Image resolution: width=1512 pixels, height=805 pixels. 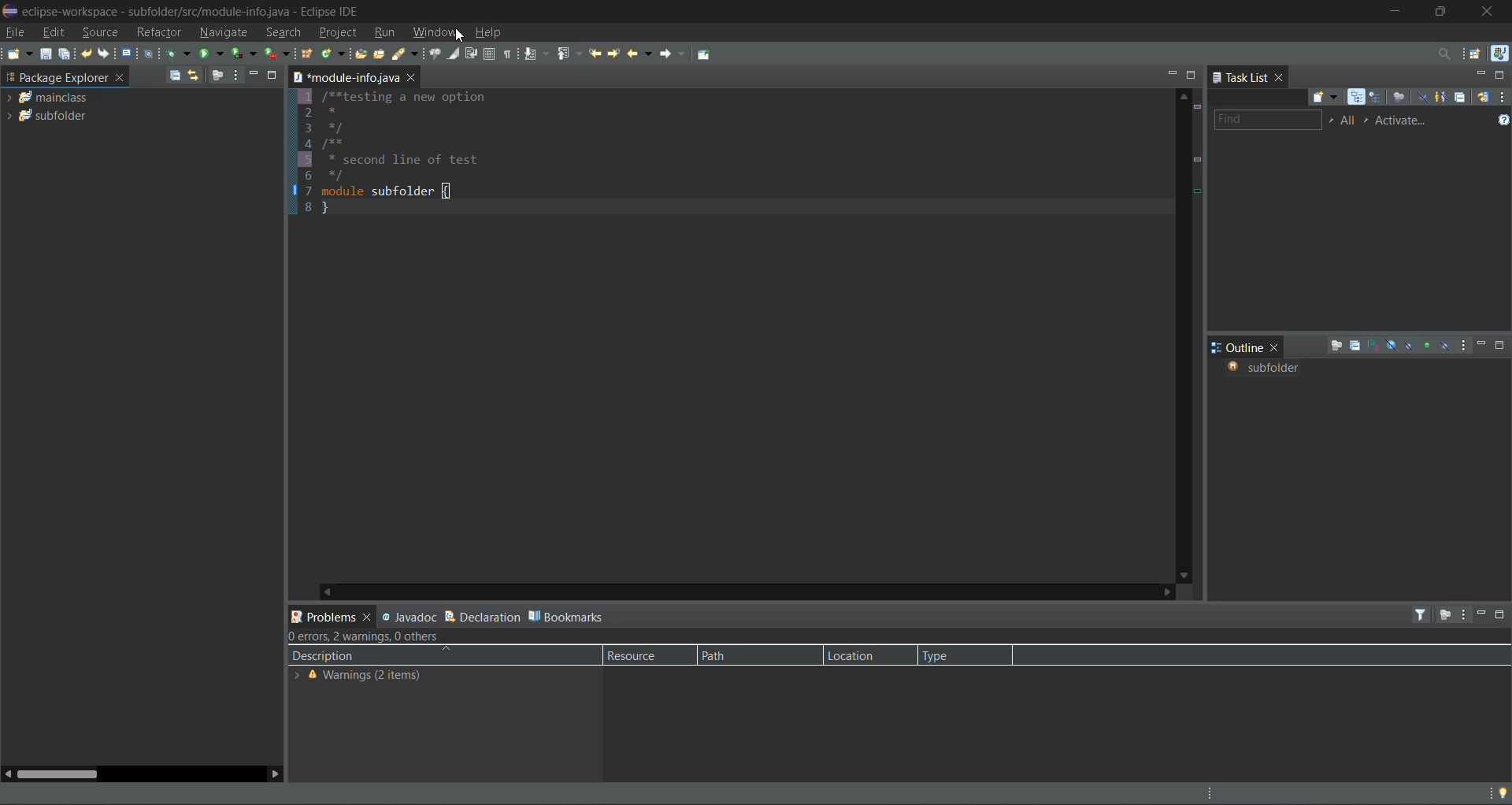 What do you see at coordinates (1408, 344) in the screenshot?
I see `hide static fields and methods` at bounding box center [1408, 344].